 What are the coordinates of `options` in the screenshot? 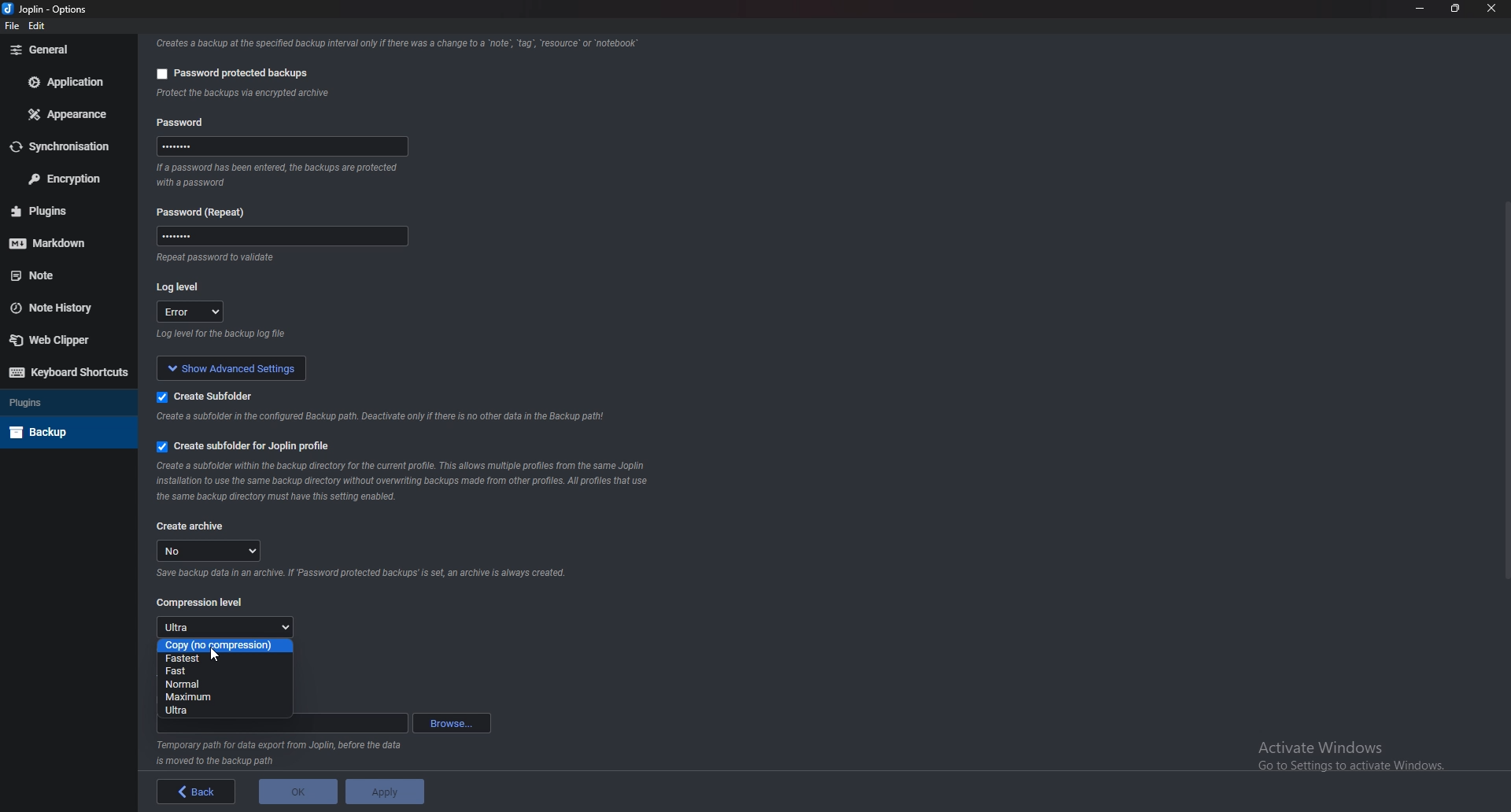 It's located at (72, 9).